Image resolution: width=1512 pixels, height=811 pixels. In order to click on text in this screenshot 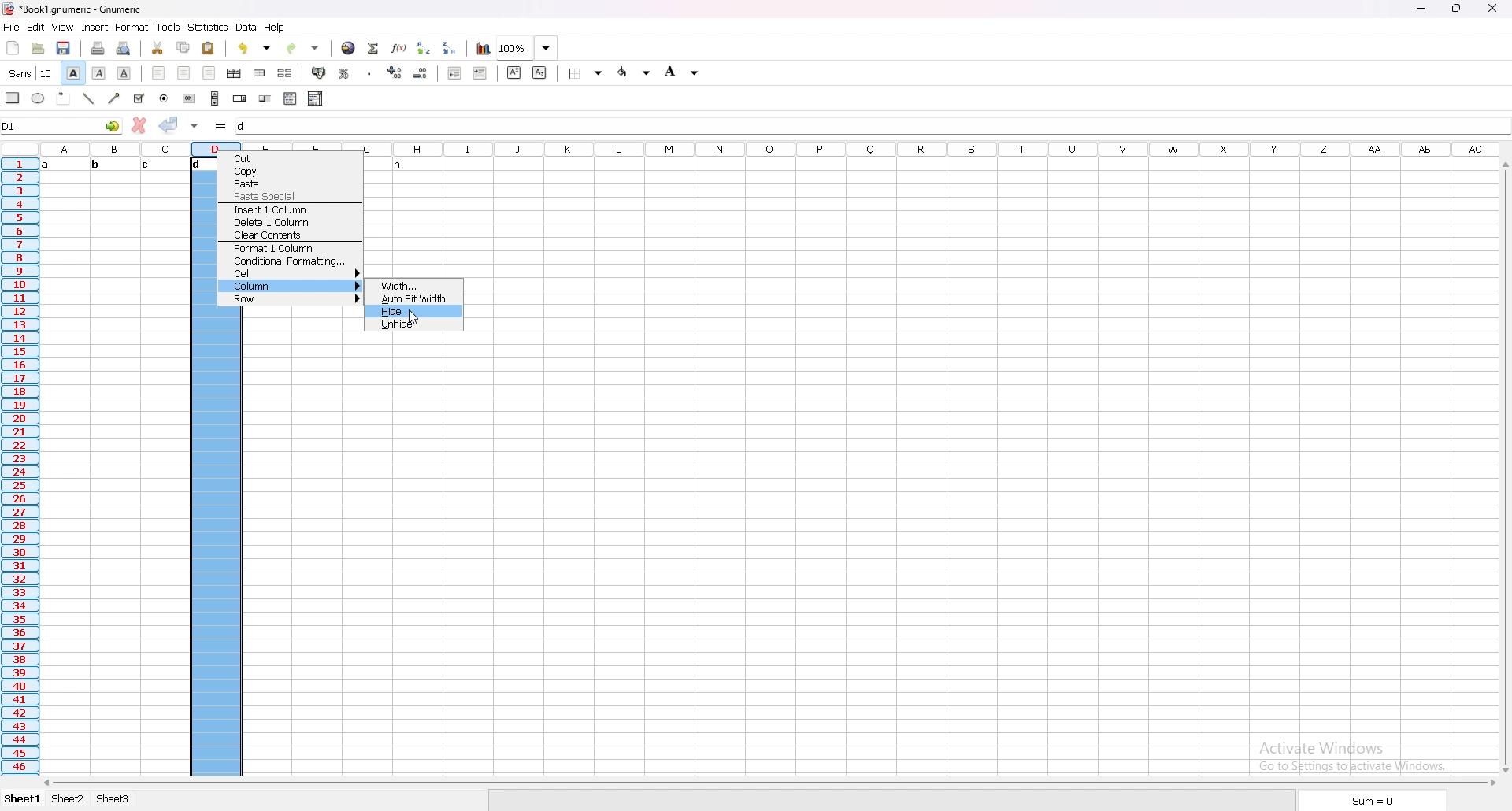, I will do `click(395, 162)`.